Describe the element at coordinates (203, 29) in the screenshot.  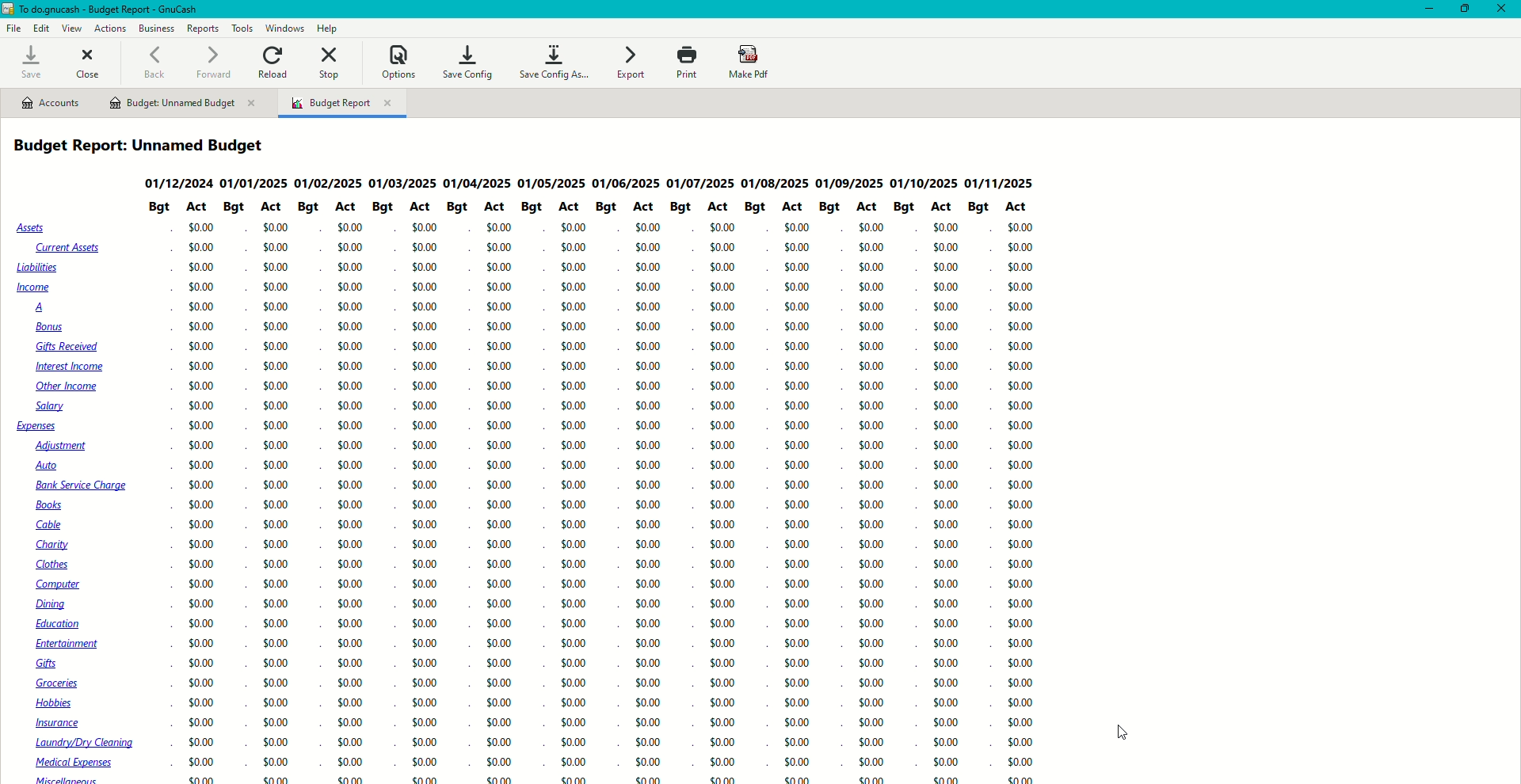
I see `Reports` at that location.